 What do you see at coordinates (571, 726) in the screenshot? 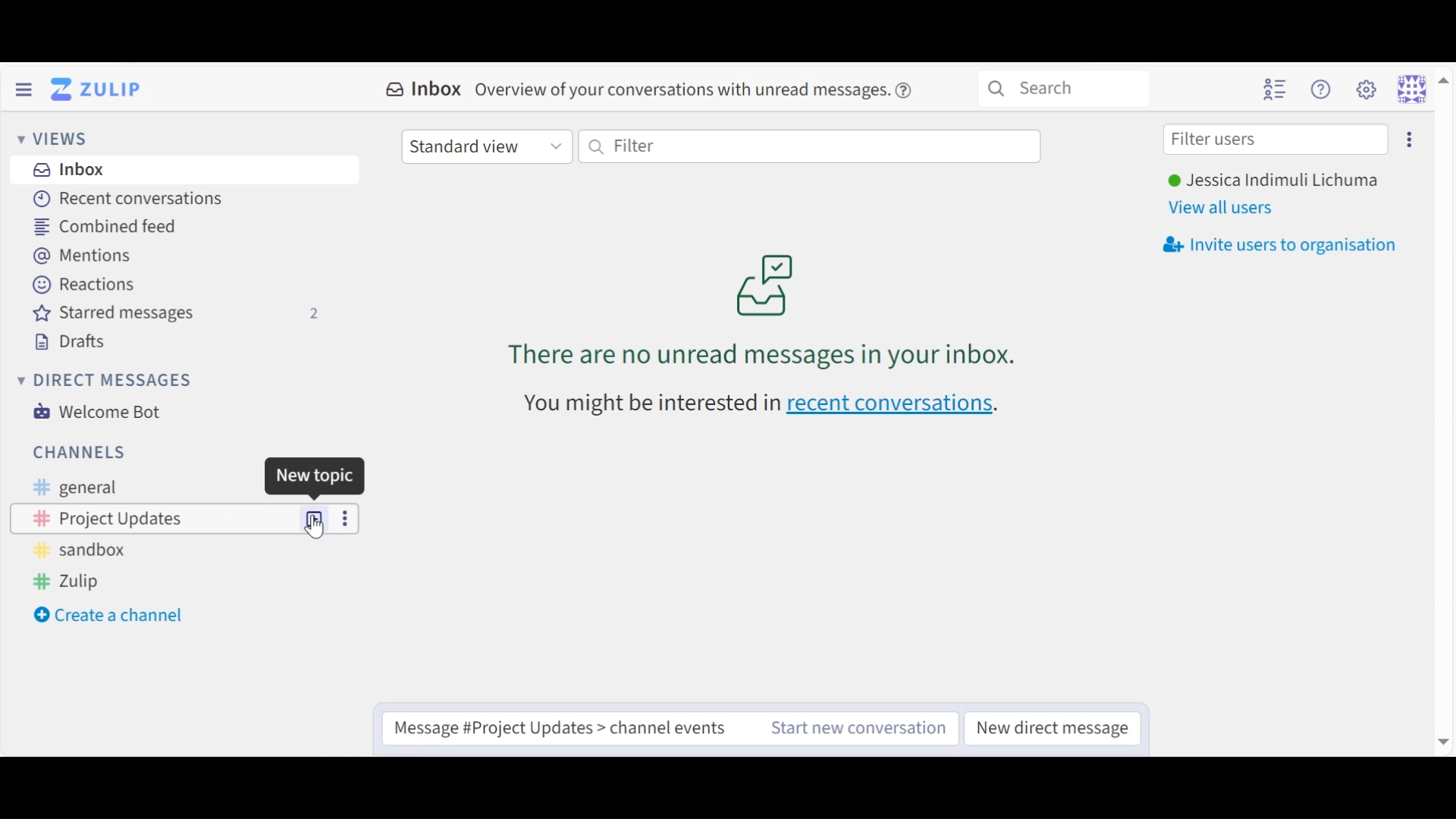
I see `Reply to message` at bounding box center [571, 726].